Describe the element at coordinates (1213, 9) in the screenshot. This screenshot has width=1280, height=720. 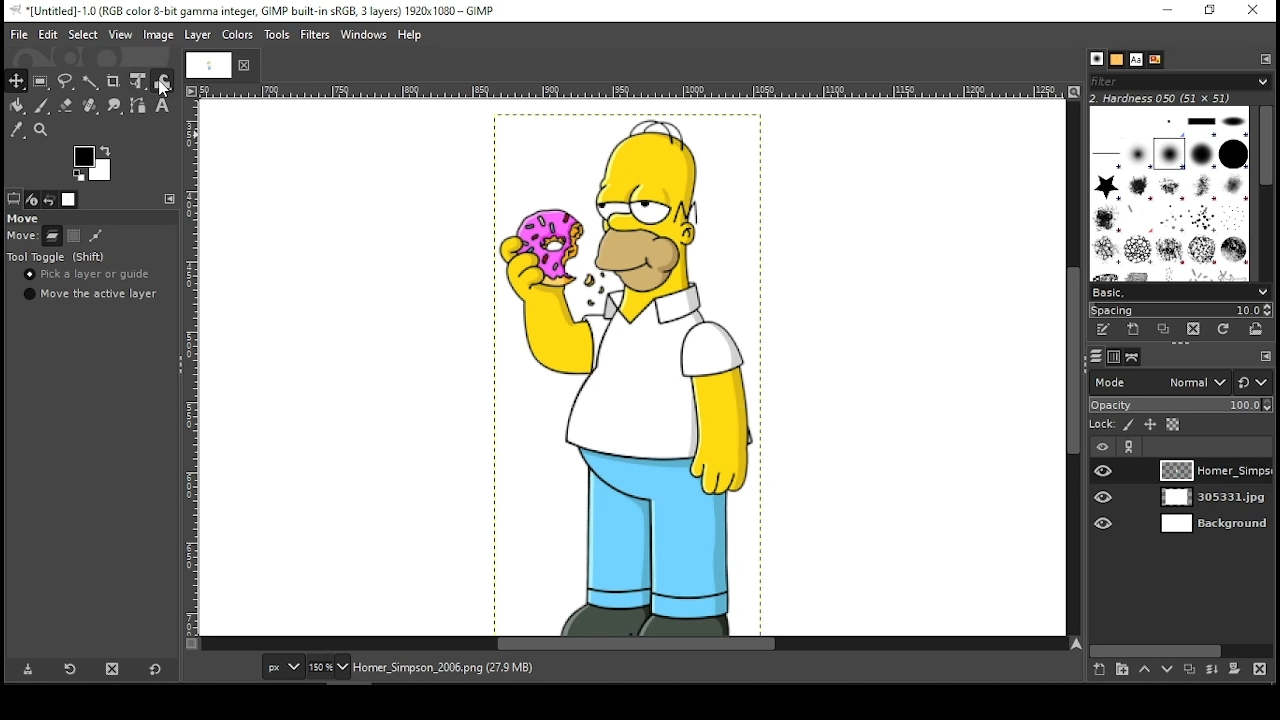
I see `restore` at that location.